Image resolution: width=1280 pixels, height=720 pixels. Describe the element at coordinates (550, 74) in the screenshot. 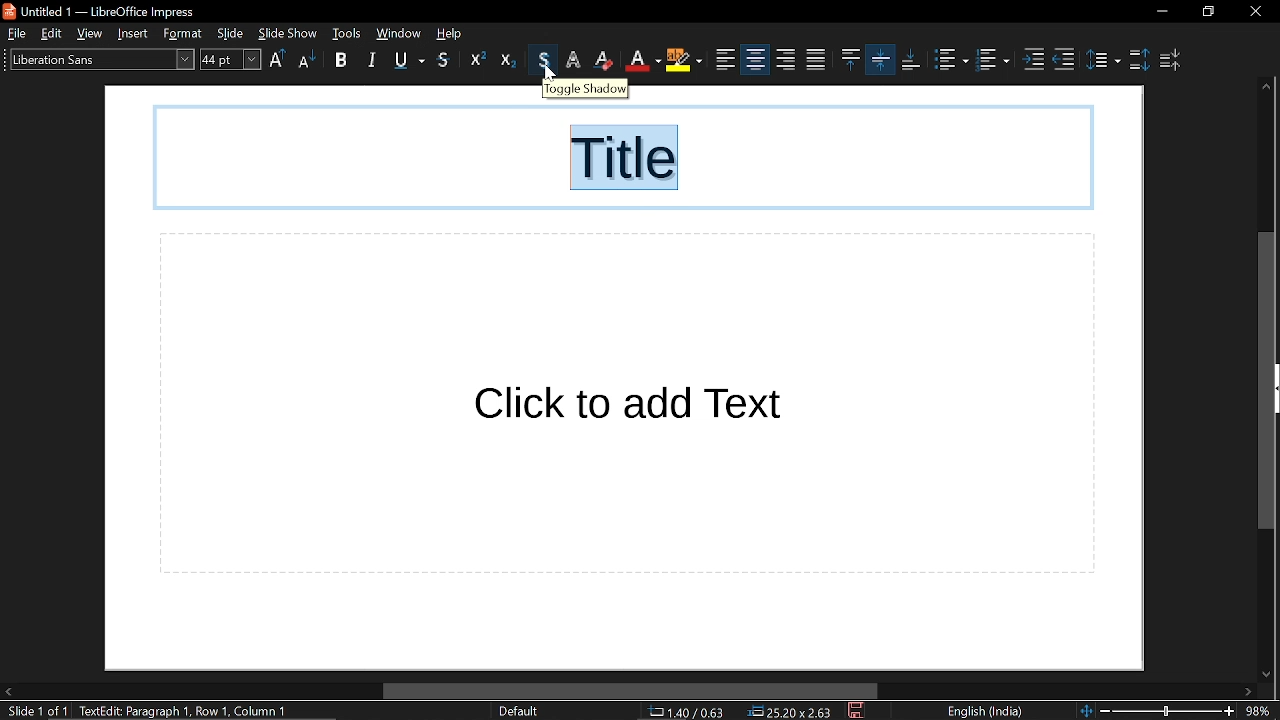

I see `Cursor` at that location.